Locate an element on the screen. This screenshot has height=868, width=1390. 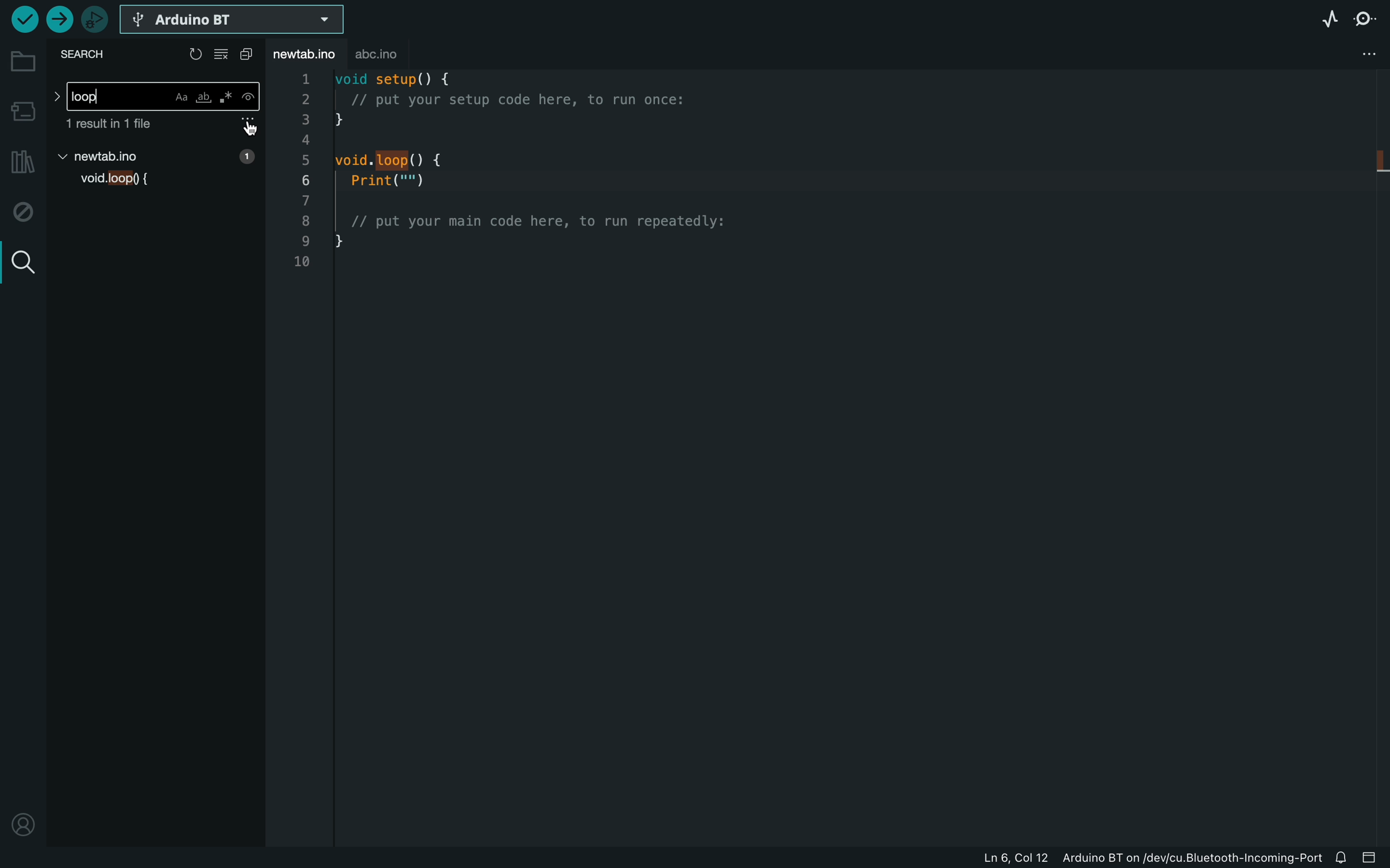
verify is located at coordinates (21, 20).